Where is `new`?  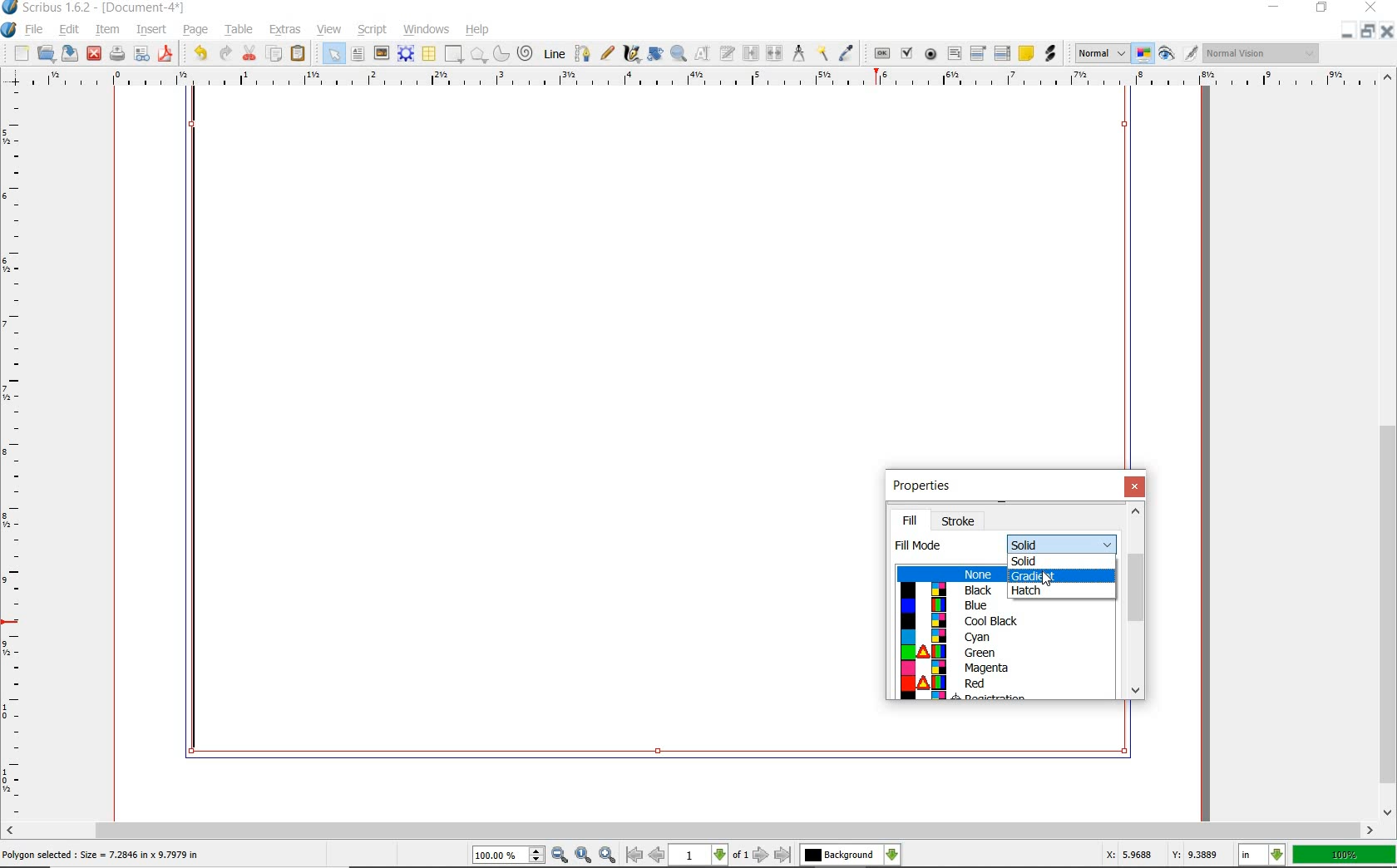
new is located at coordinates (16, 53).